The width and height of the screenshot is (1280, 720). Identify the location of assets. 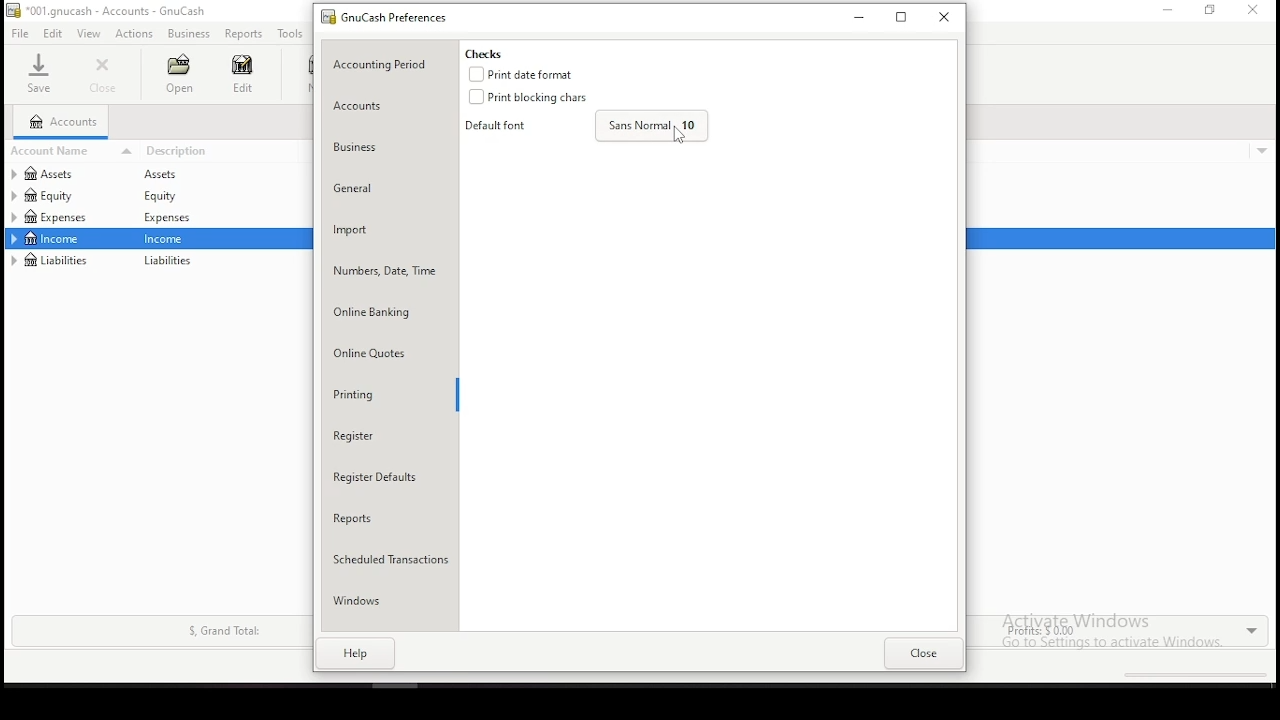
(66, 174).